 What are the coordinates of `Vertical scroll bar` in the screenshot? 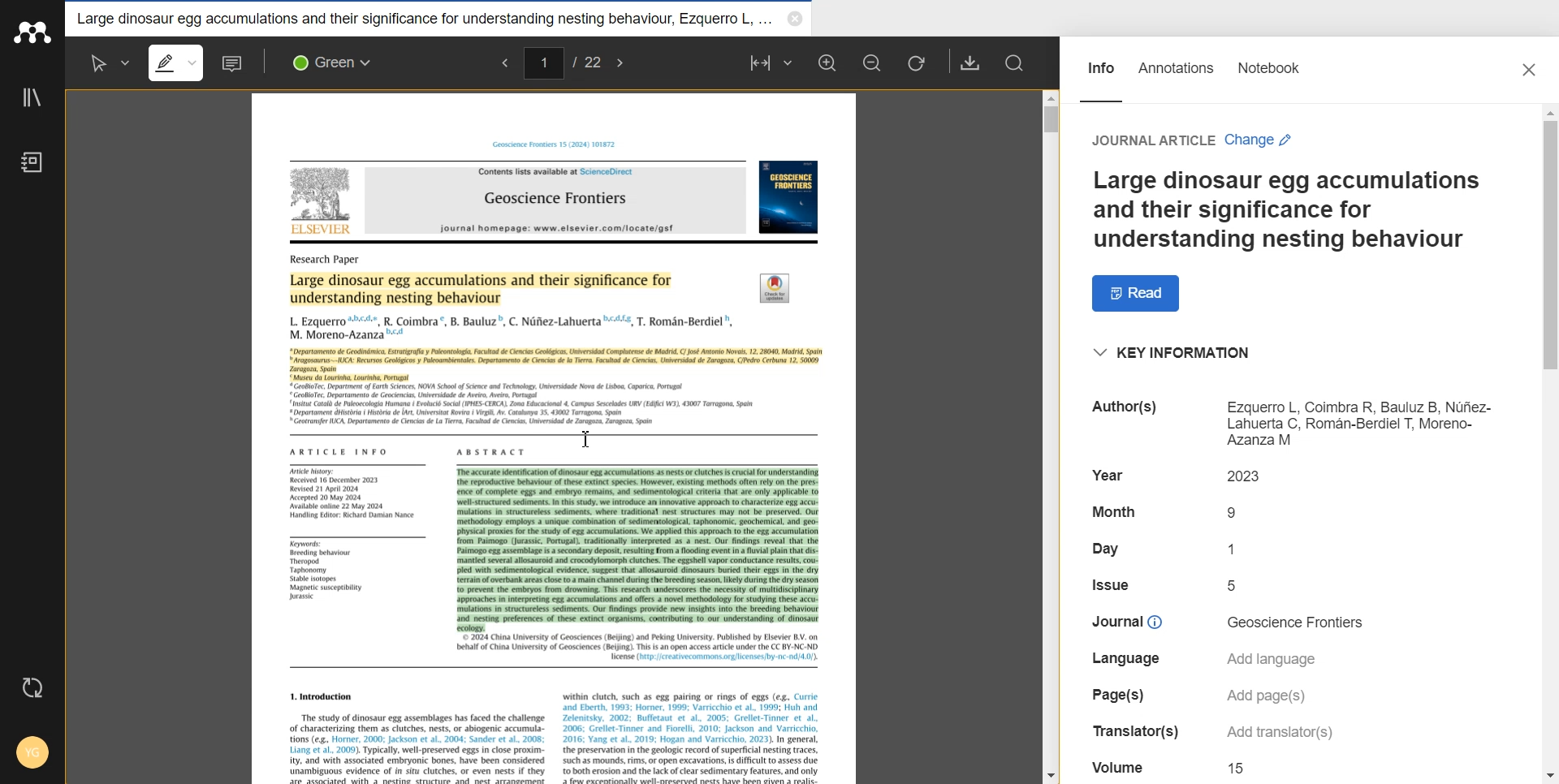 It's located at (1544, 444).